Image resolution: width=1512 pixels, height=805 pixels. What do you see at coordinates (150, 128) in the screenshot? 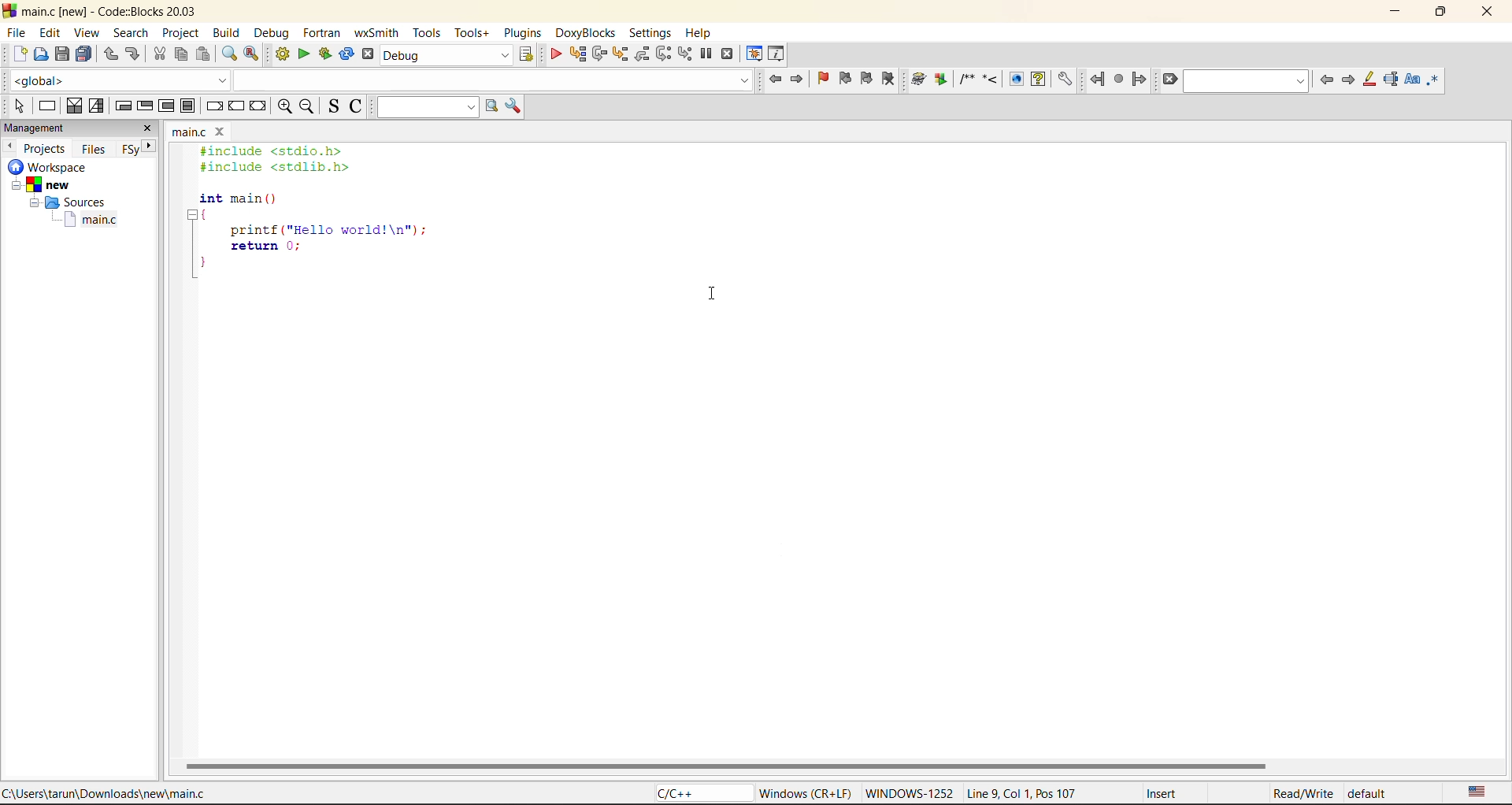
I see `close` at bounding box center [150, 128].